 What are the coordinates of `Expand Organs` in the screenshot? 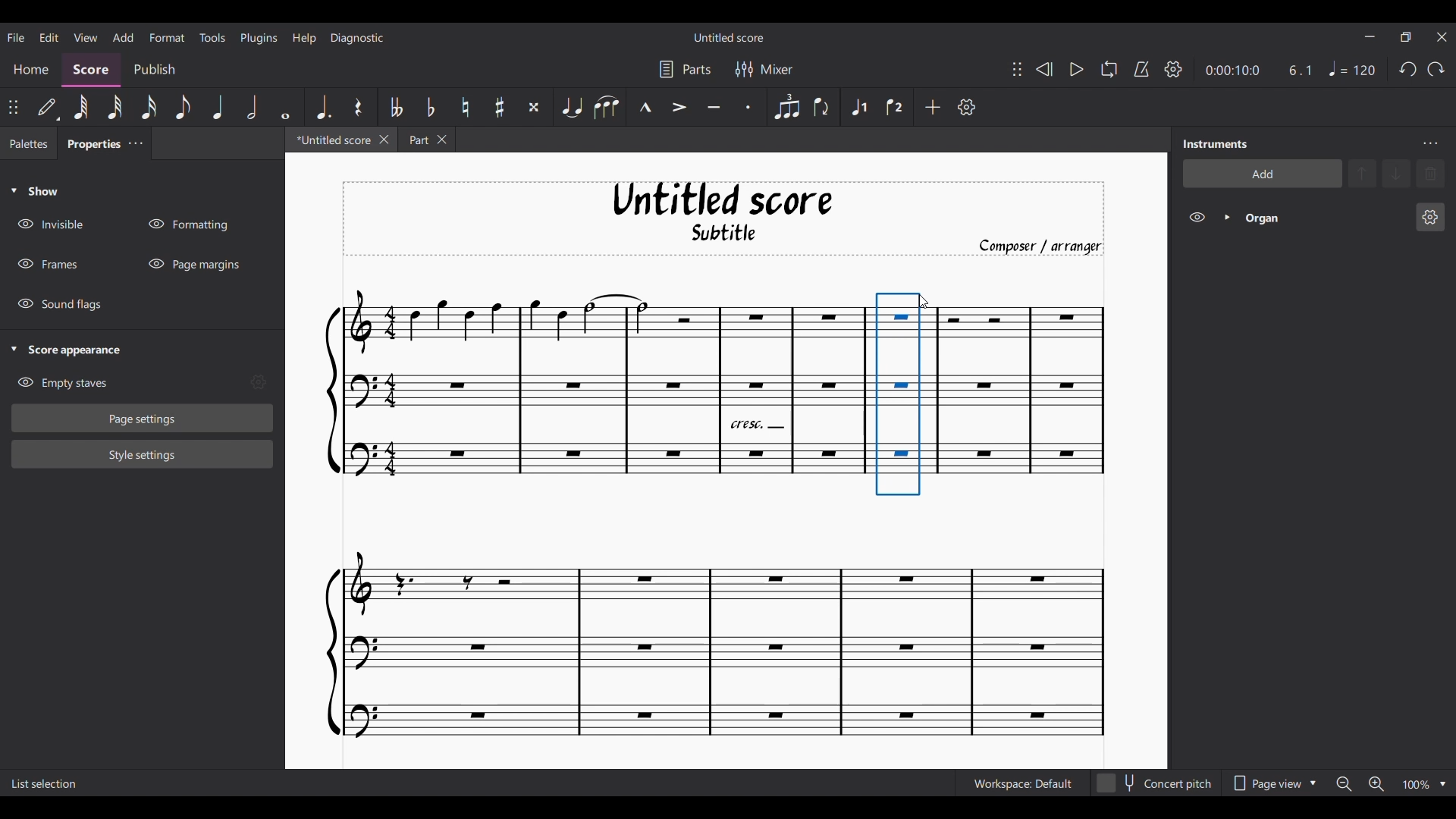 It's located at (1227, 217).